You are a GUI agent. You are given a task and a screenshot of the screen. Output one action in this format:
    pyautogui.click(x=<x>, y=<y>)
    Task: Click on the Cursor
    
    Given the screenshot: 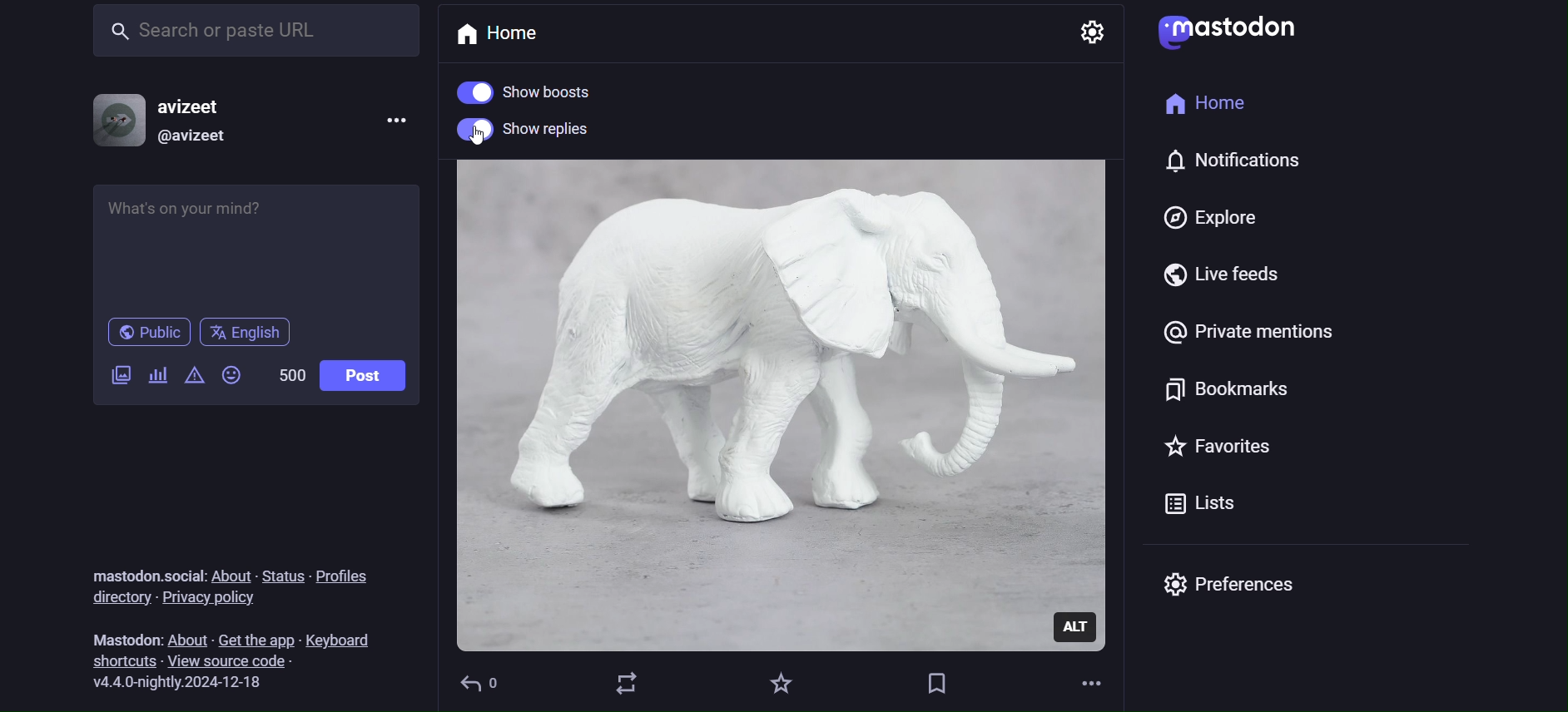 What is the action you would take?
    pyautogui.click(x=475, y=142)
    